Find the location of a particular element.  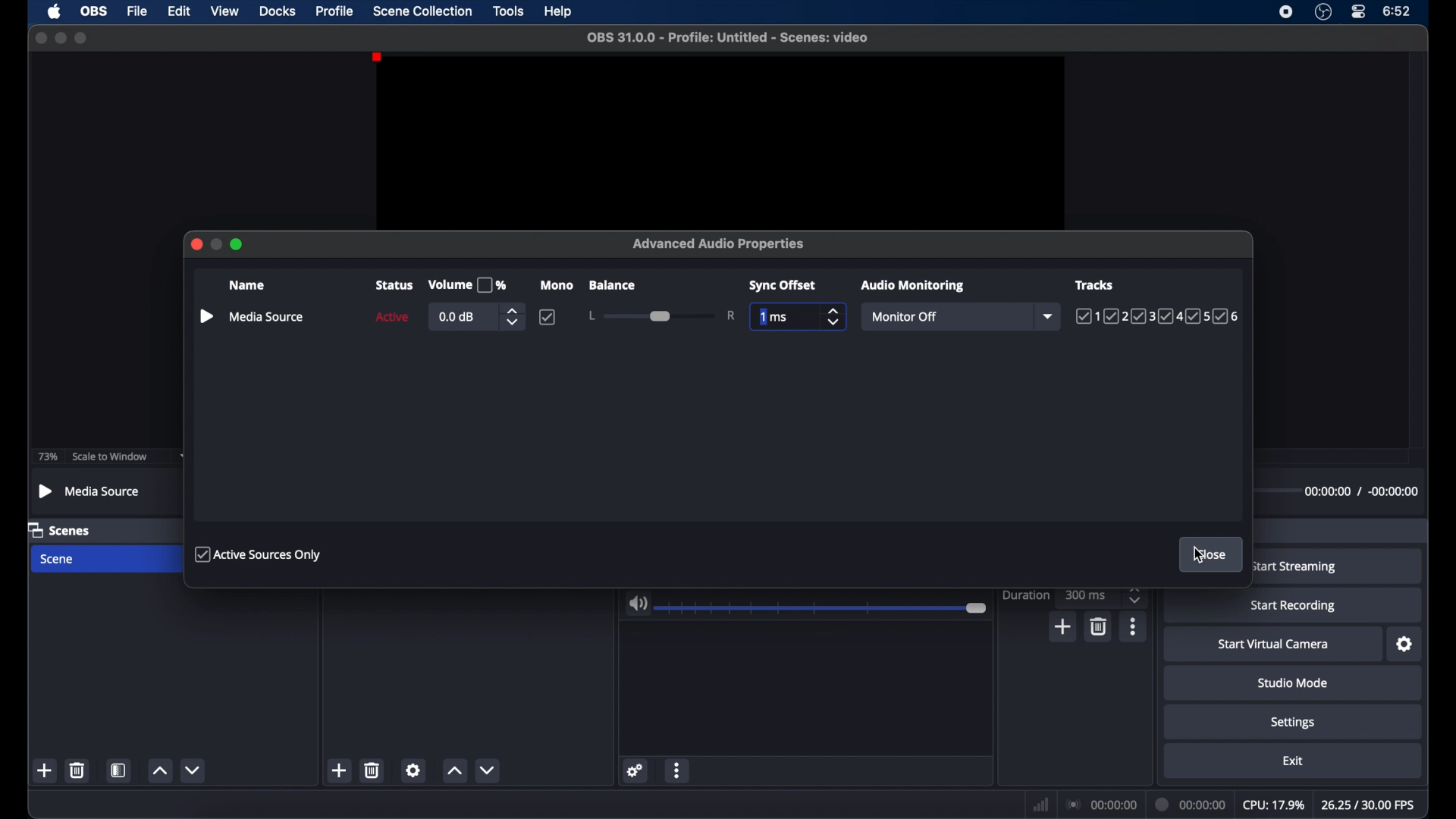

delete is located at coordinates (77, 770).